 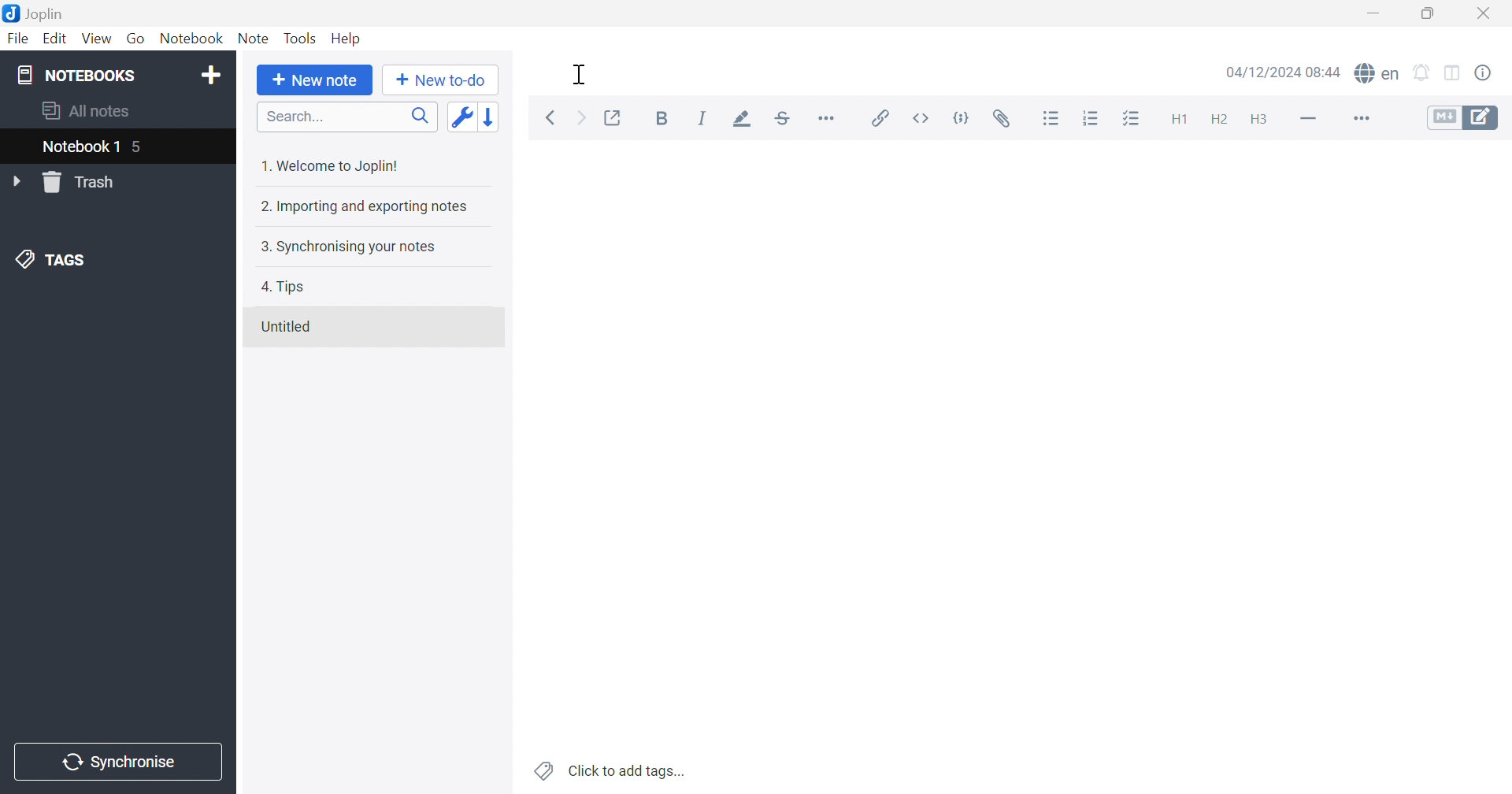 What do you see at coordinates (87, 110) in the screenshot?
I see `All notes` at bounding box center [87, 110].